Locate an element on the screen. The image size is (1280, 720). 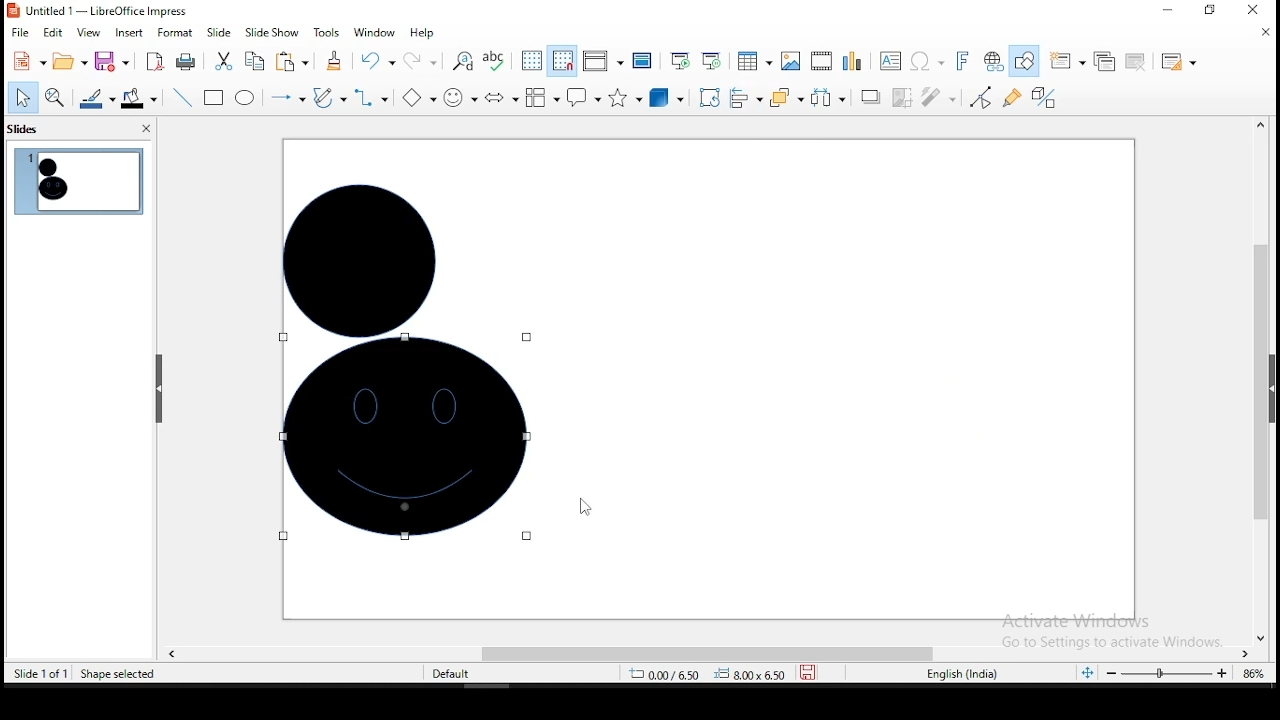
clone formatting is located at coordinates (332, 61).